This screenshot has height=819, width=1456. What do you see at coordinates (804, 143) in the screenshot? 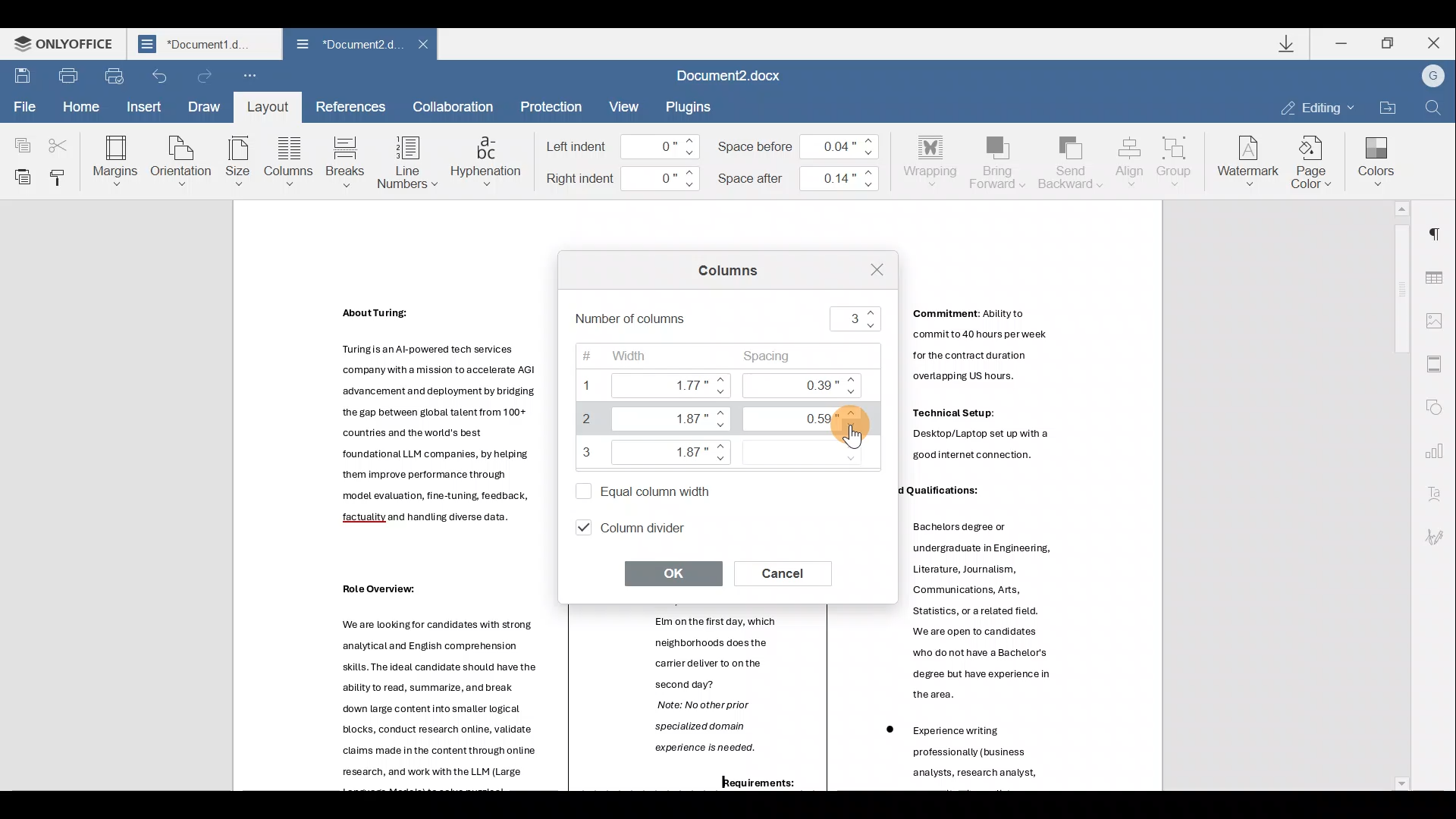
I see `Space before` at bounding box center [804, 143].